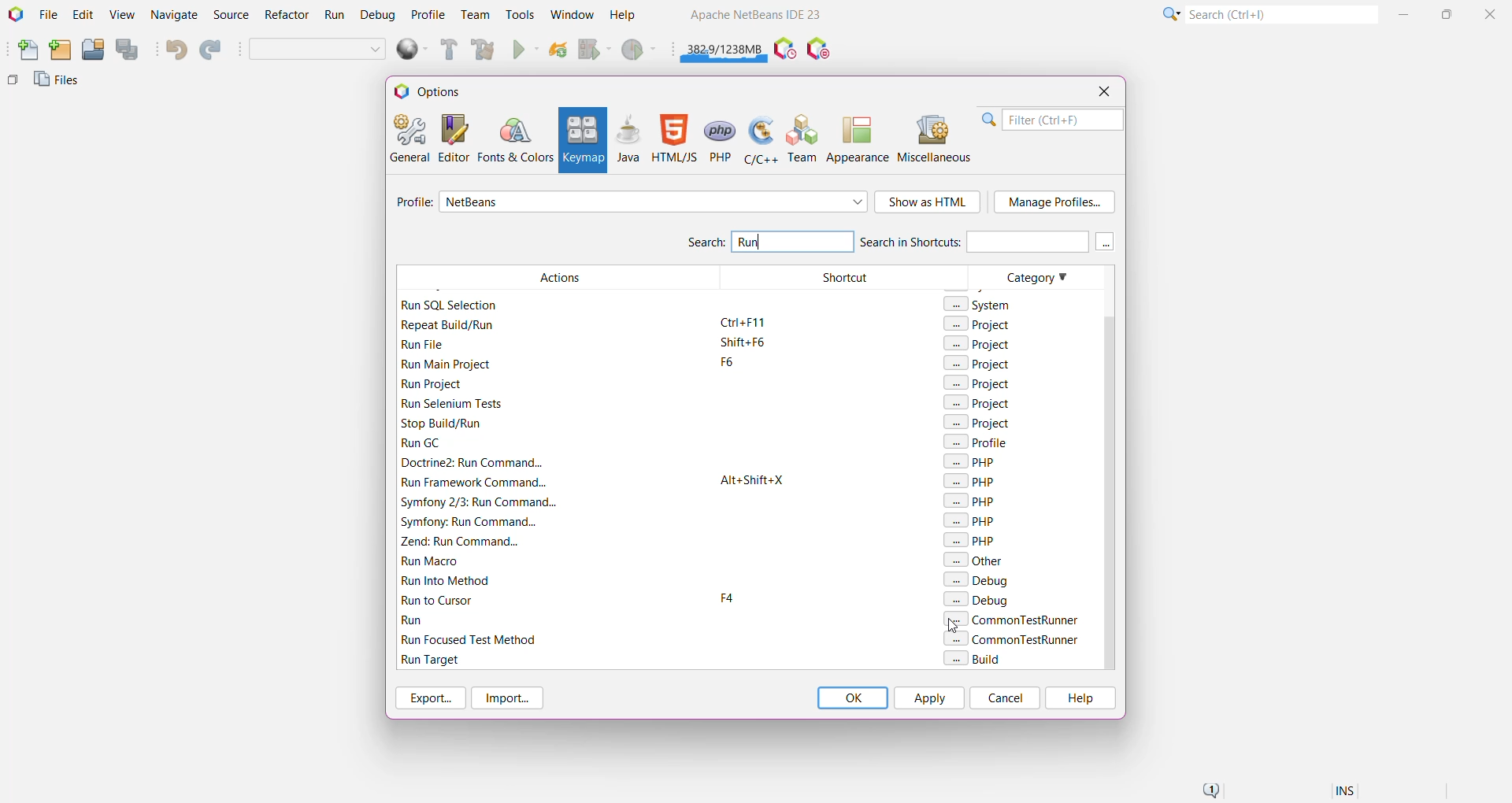  Describe the element at coordinates (1005, 698) in the screenshot. I see `Cancel` at that location.